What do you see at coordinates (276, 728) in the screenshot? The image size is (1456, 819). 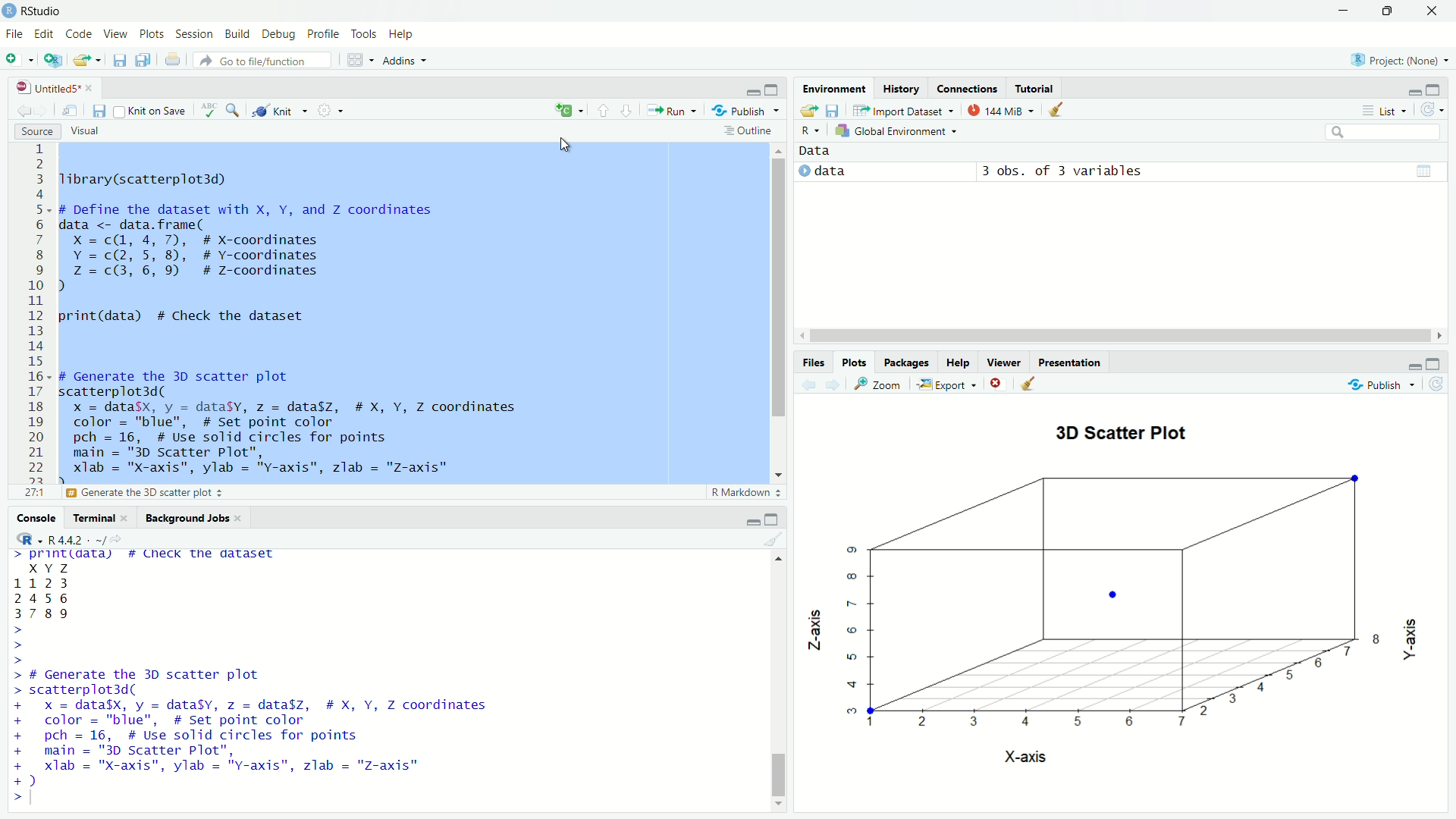 I see `> # Generate the 5D scatter plot

> scatterplot3d(

+ x = data$X, y = dataSy, z = data$z, # X, Y, Z coordinates
+ color = "blue", # Set point color

+ pch = 16, # Use solid circles for points

+ main = "3D Scatter Plot",

+ xlab = "x-axis", ylab = "y-axis", zlab = "z-axis"

+)` at bounding box center [276, 728].